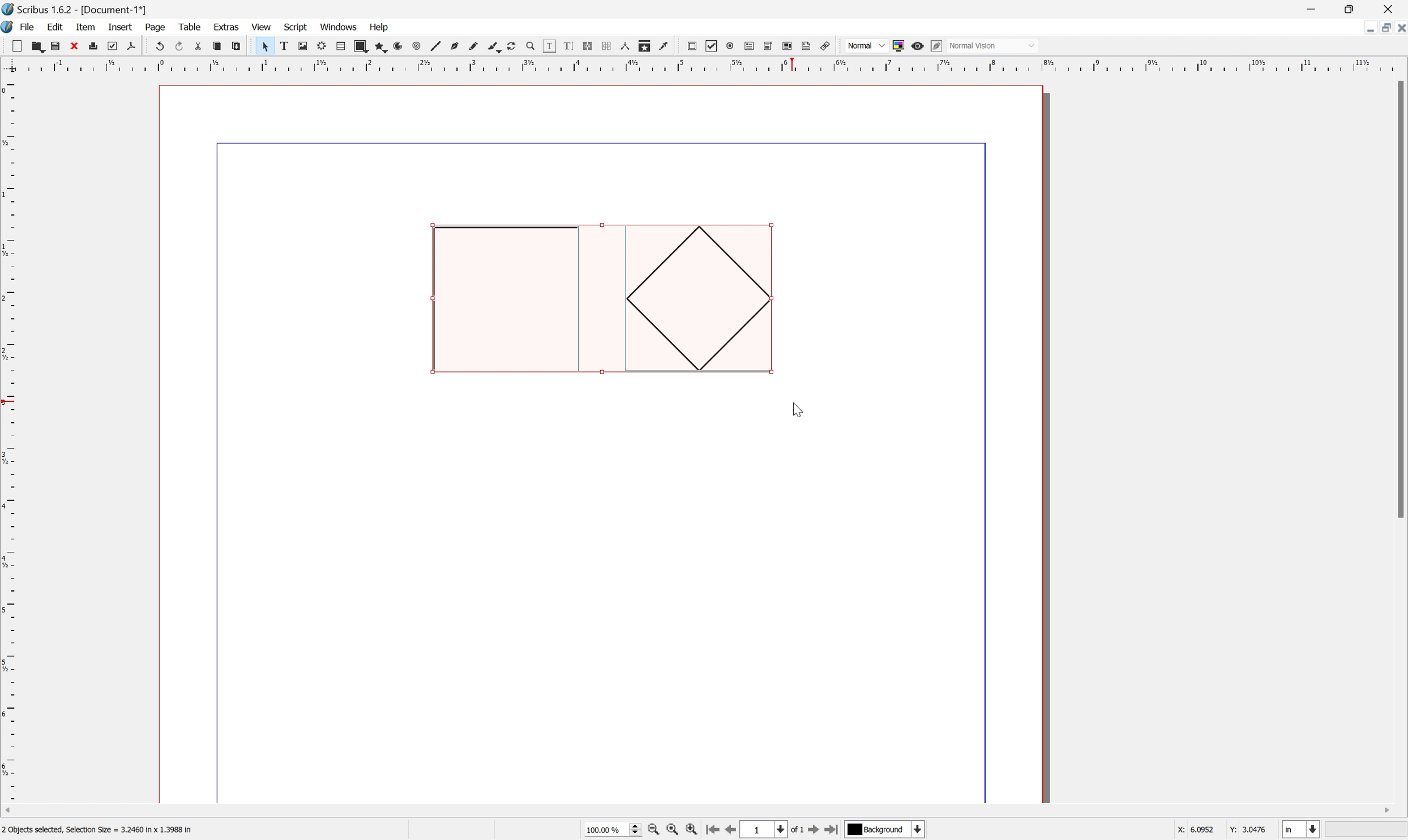 This screenshot has width=1408, height=840. Describe the element at coordinates (1365, 29) in the screenshot. I see `Minimize` at that location.